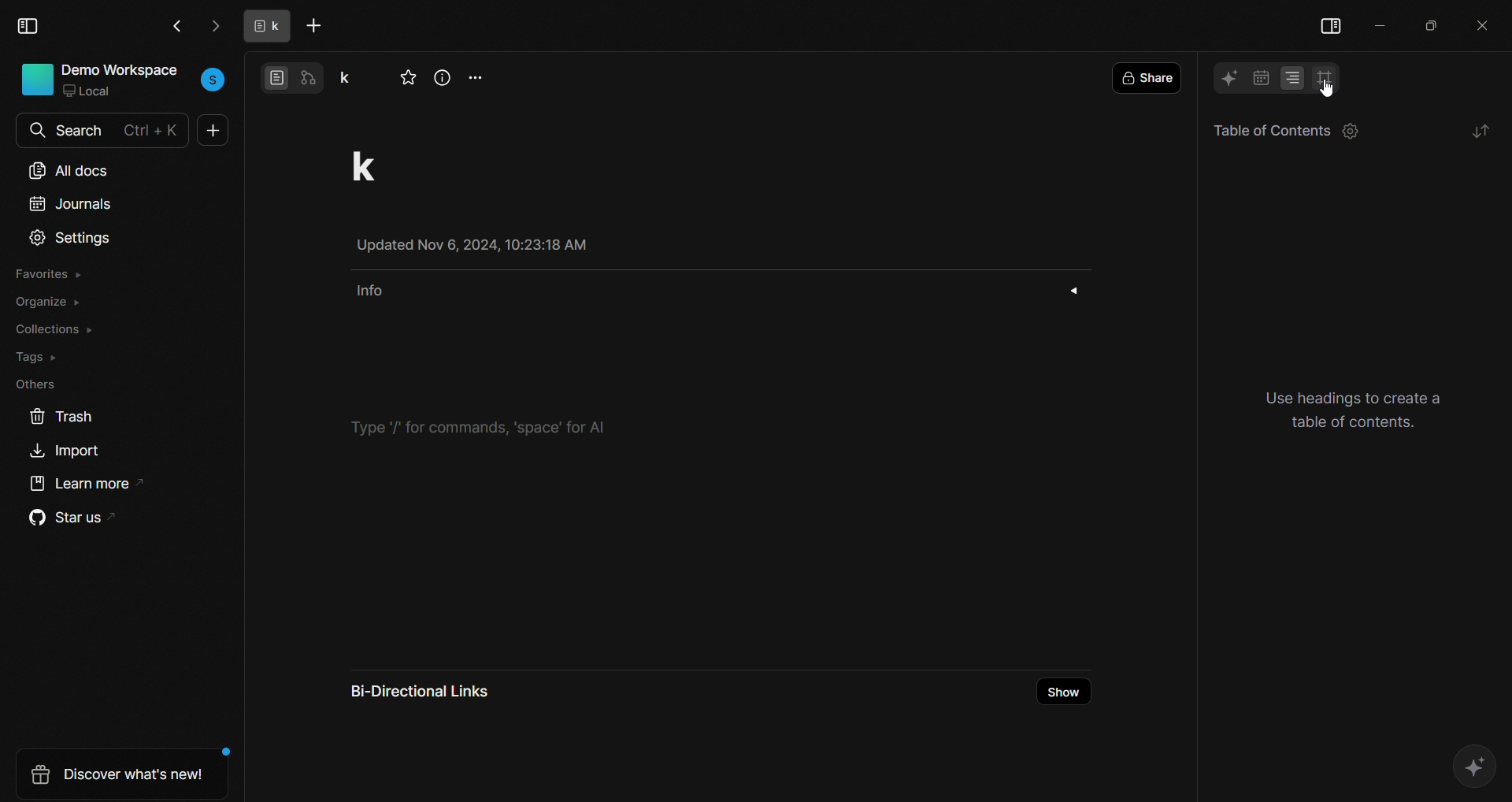  What do you see at coordinates (214, 79) in the screenshot?
I see `user` at bounding box center [214, 79].